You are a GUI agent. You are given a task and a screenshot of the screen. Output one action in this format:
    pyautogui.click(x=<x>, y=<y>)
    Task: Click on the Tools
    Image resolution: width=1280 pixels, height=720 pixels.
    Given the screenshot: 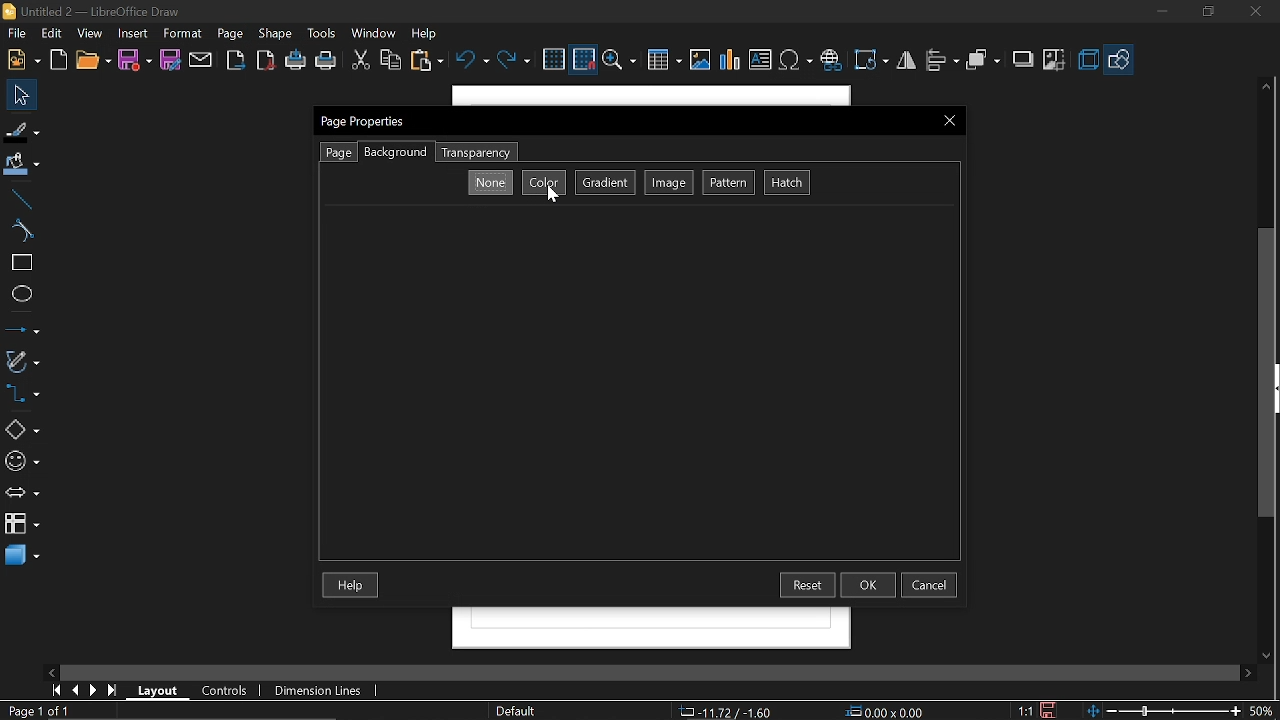 What is the action you would take?
    pyautogui.click(x=323, y=34)
    